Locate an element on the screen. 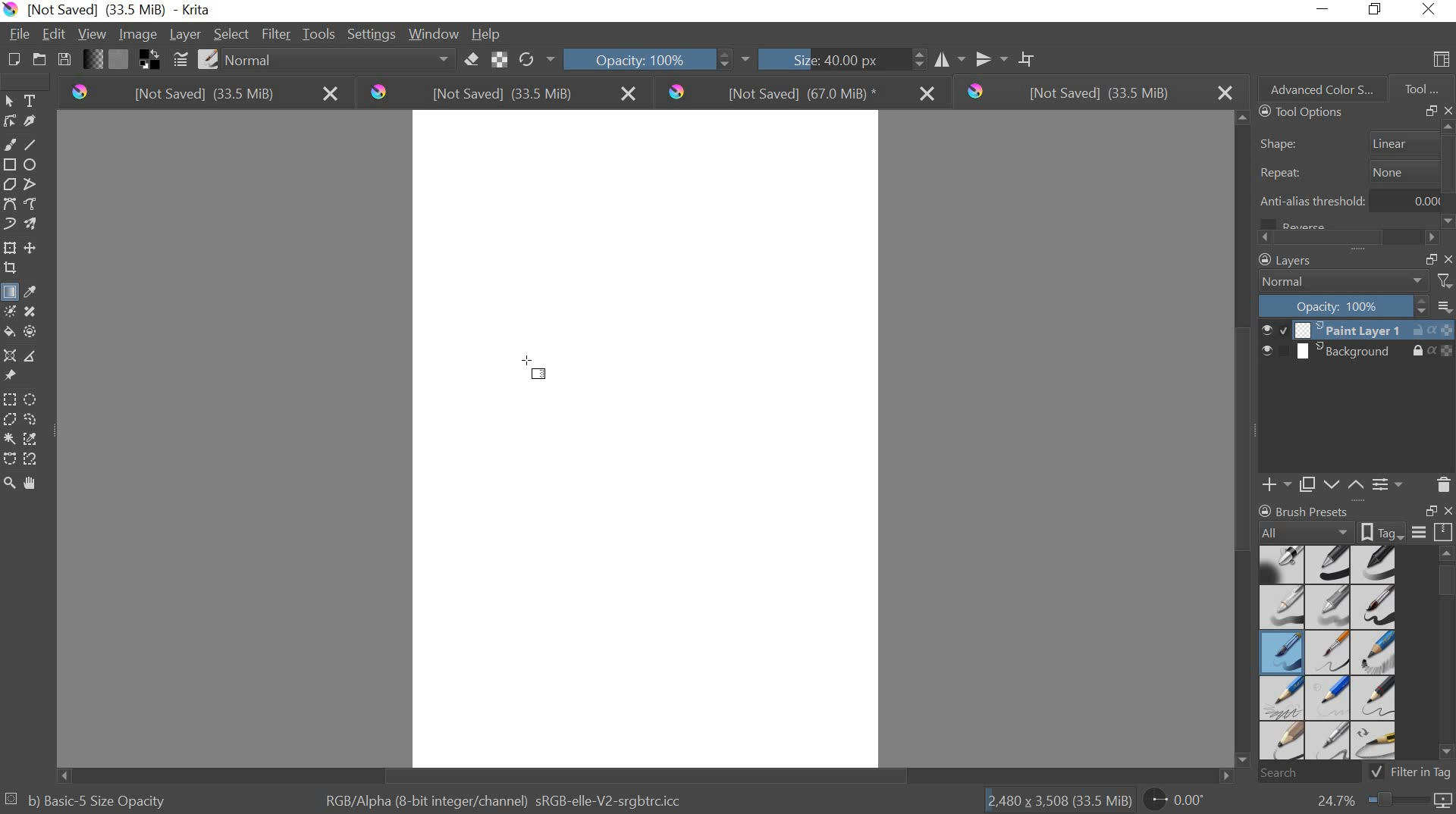 The image size is (1456, 814). RESTORE DOWN is located at coordinates (1432, 512).